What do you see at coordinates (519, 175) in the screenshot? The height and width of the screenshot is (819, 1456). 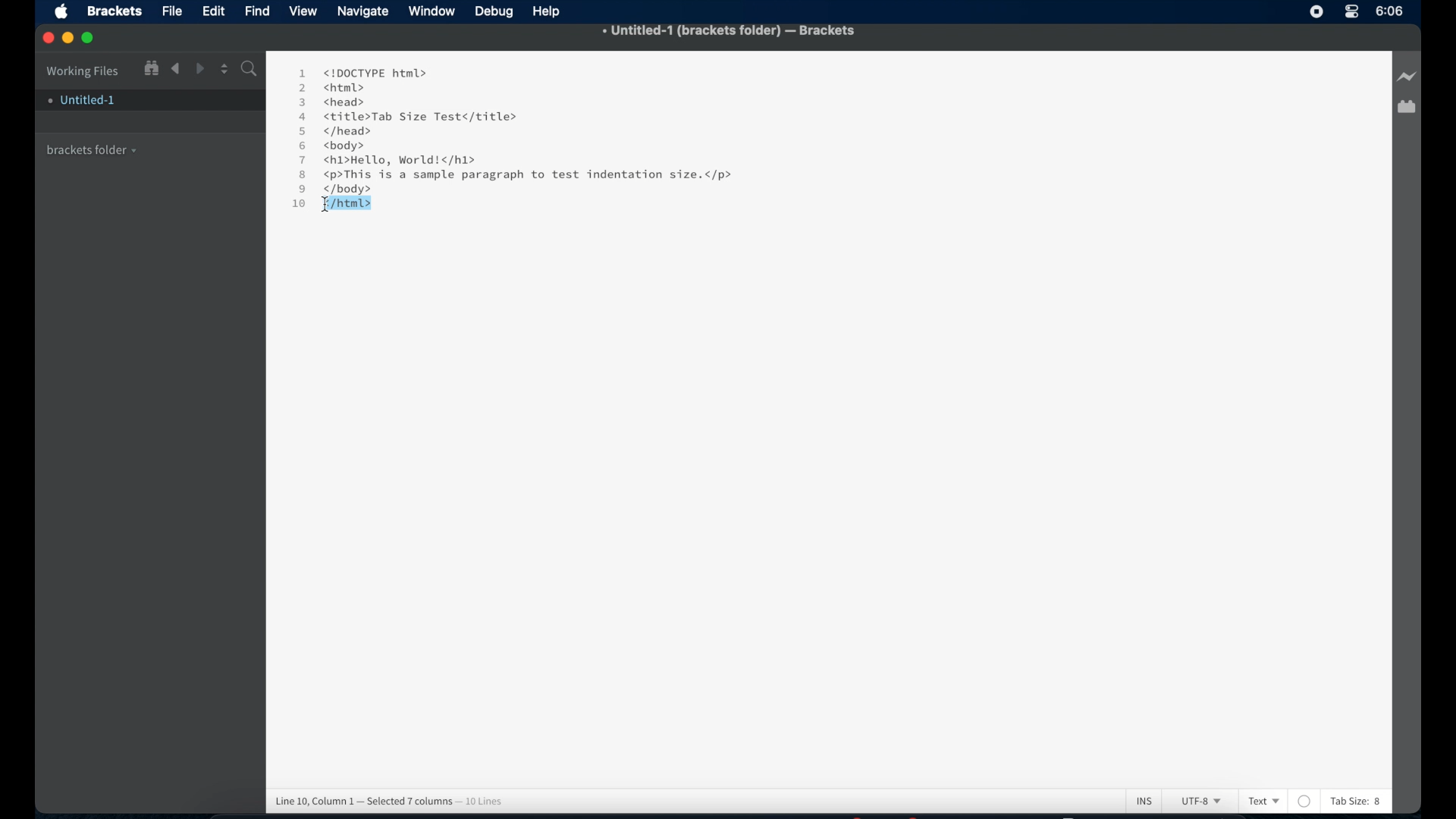 I see `8 <p>This is a sample paragraph to test indentation size.</p>` at bounding box center [519, 175].